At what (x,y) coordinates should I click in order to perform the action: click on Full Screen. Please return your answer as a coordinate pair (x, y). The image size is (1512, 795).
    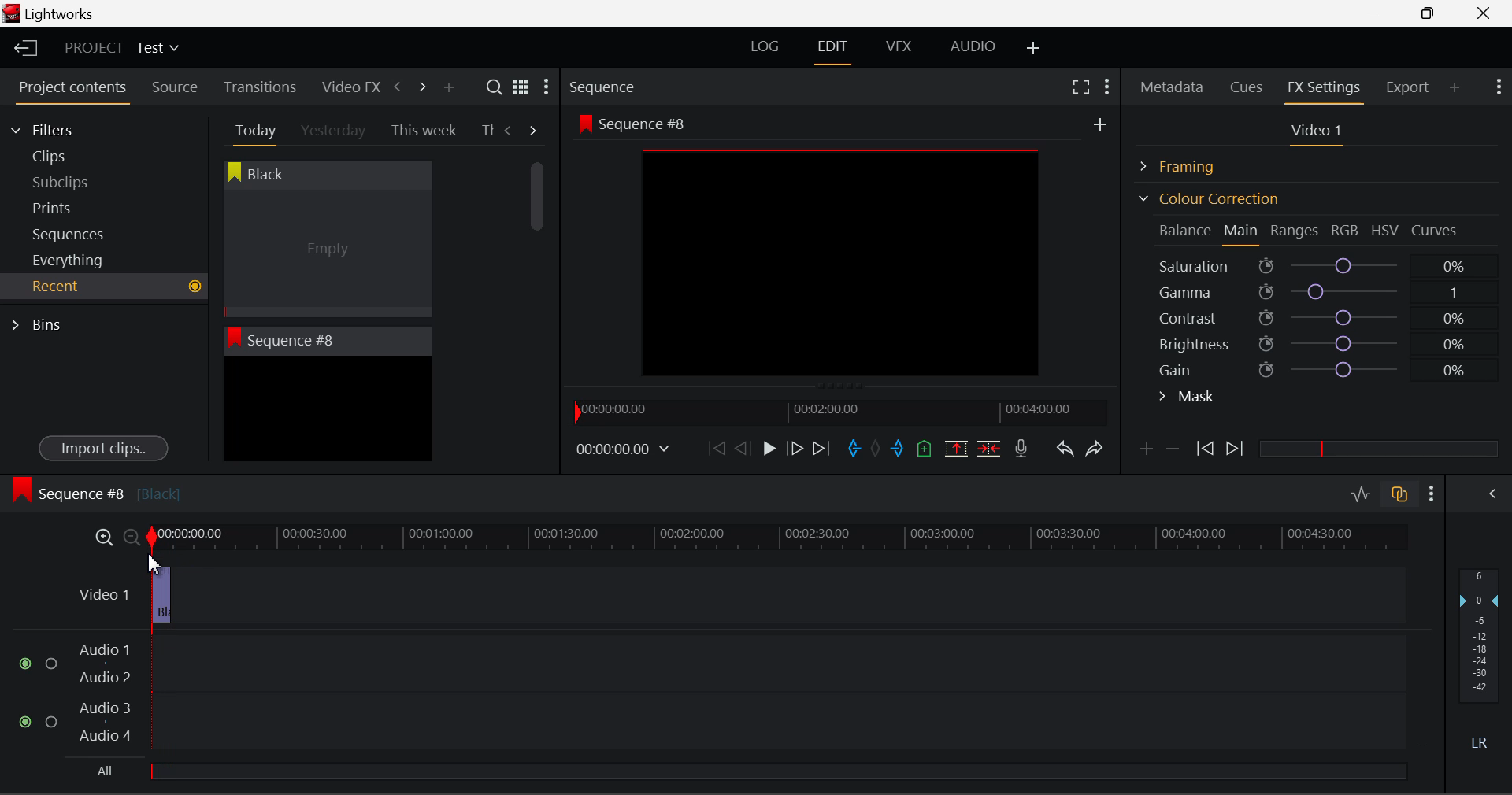
    Looking at the image, I should click on (1080, 86).